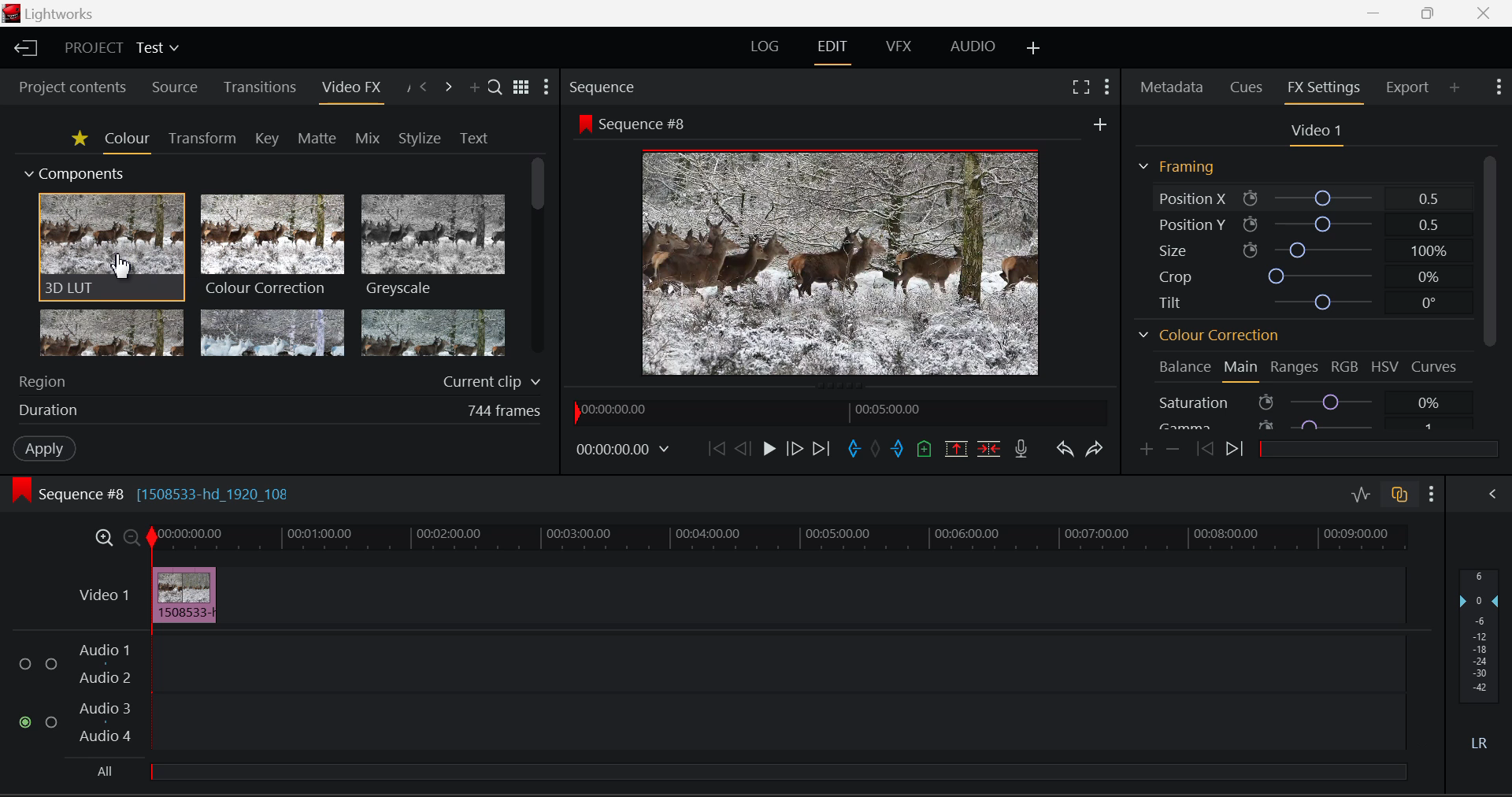 The image size is (1512, 797). Describe the element at coordinates (750, 770) in the screenshot. I see `All` at that location.